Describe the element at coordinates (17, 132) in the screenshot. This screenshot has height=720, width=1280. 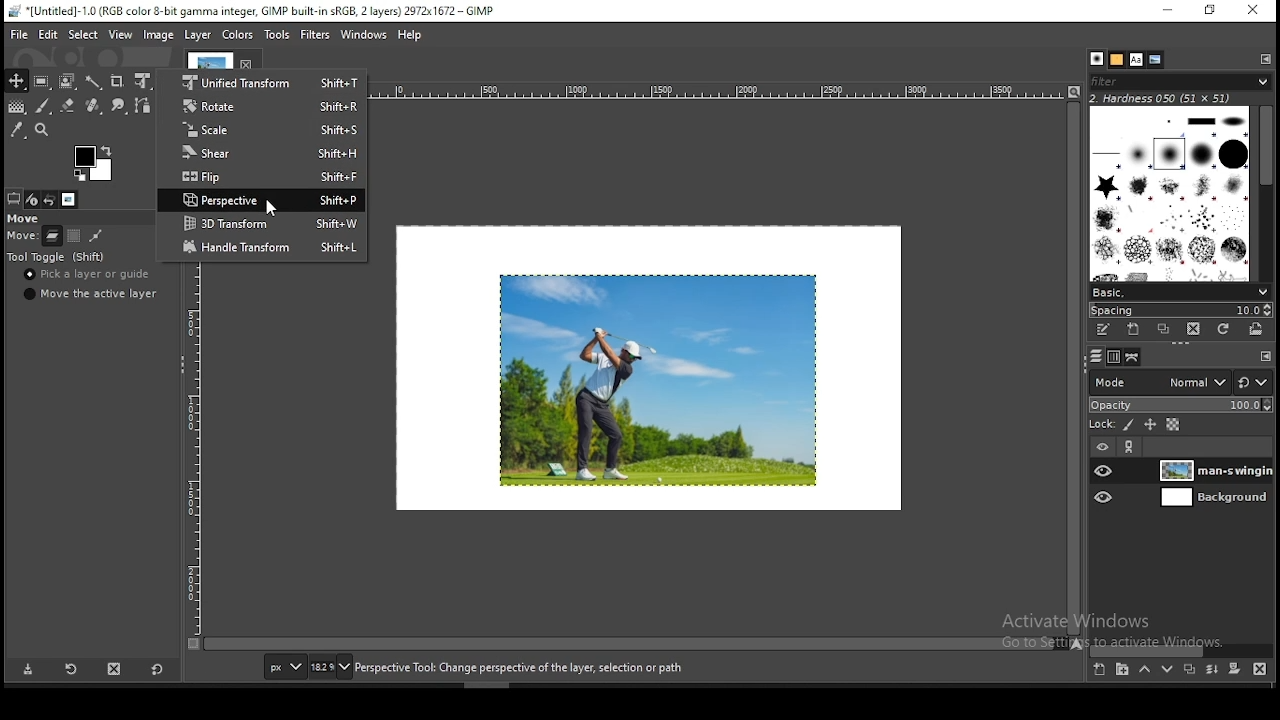
I see `color picker tool` at that location.